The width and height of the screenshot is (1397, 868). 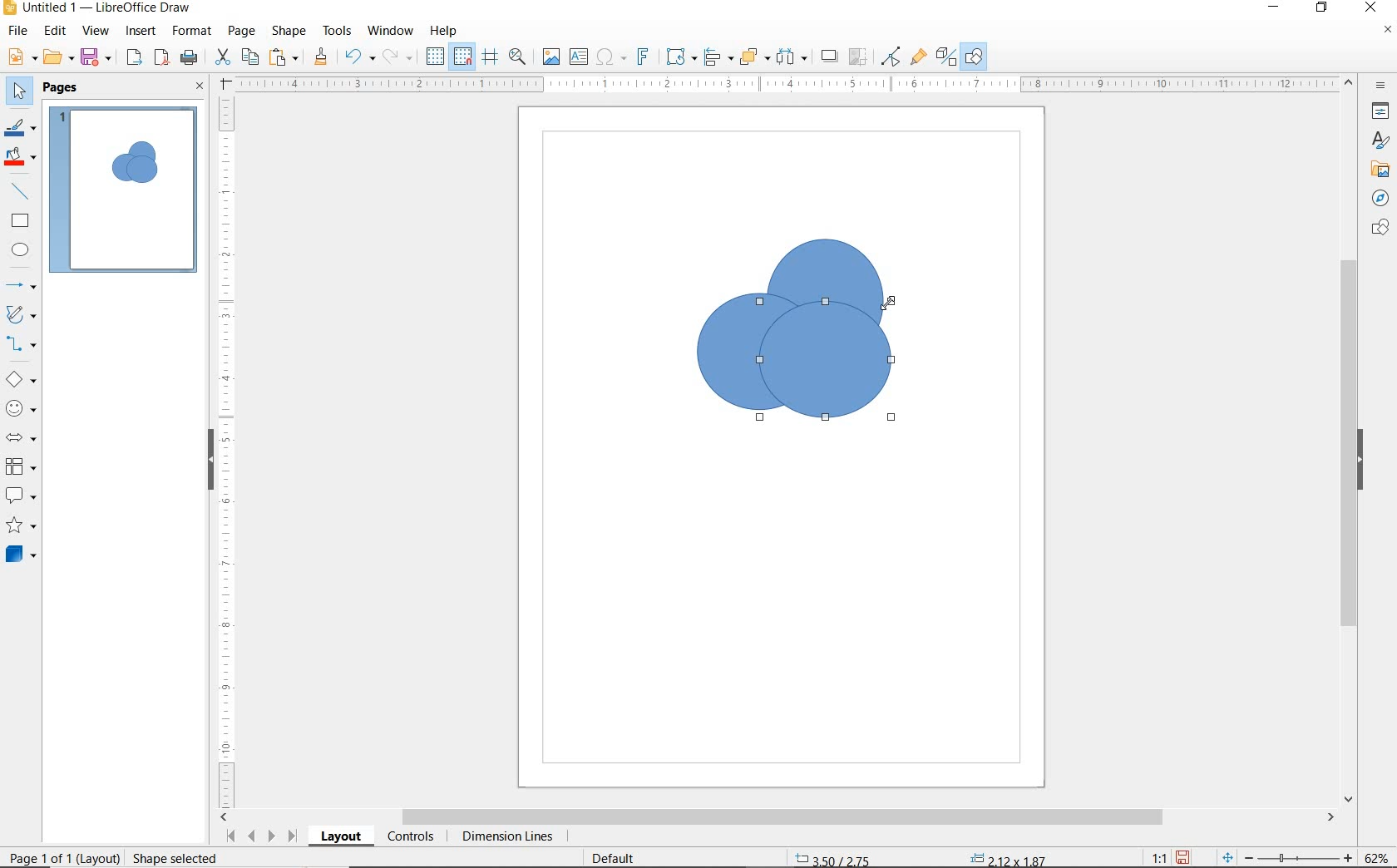 I want to click on CLOSE, so click(x=200, y=87).